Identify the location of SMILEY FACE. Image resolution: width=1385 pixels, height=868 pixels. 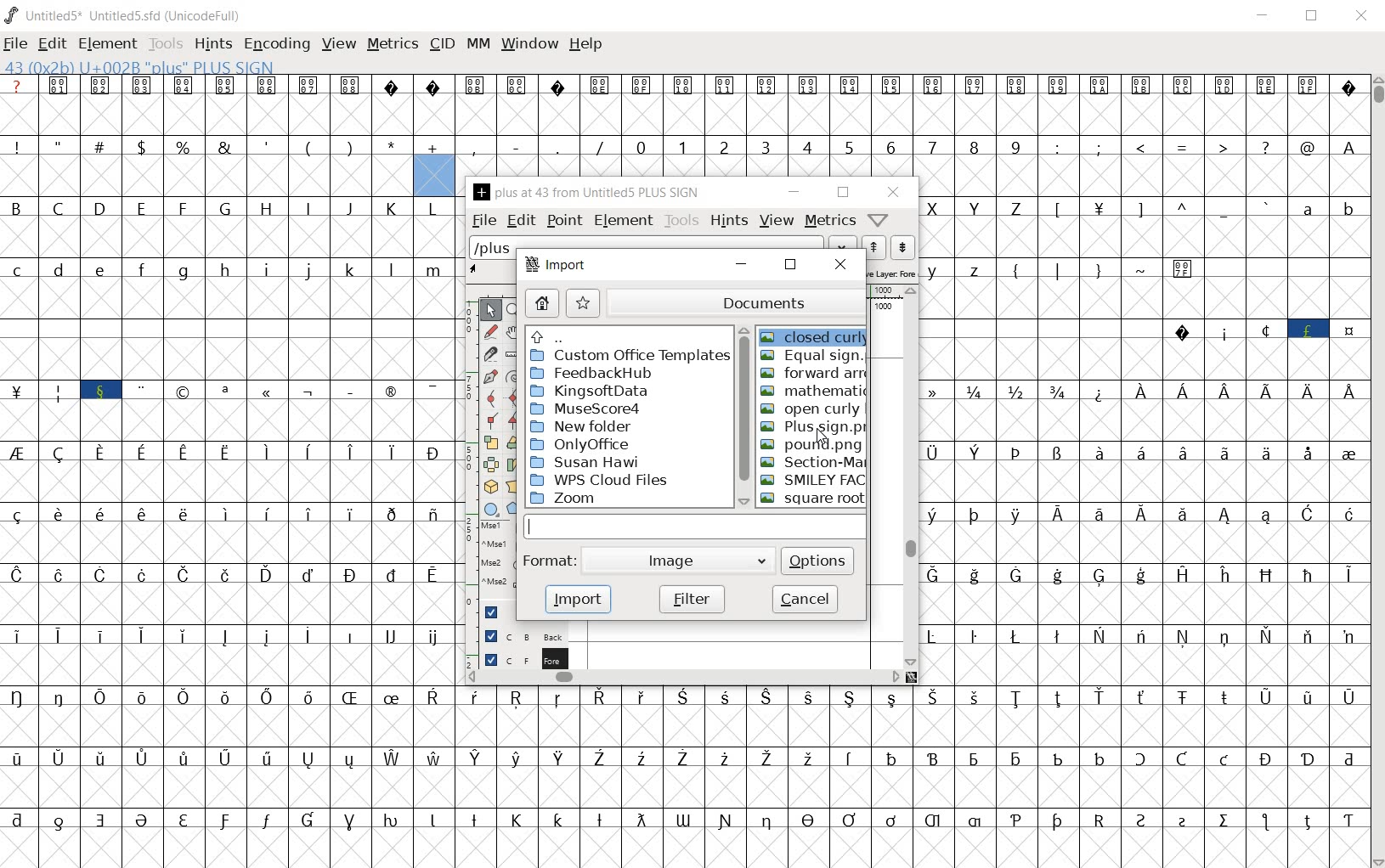
(813, 479).